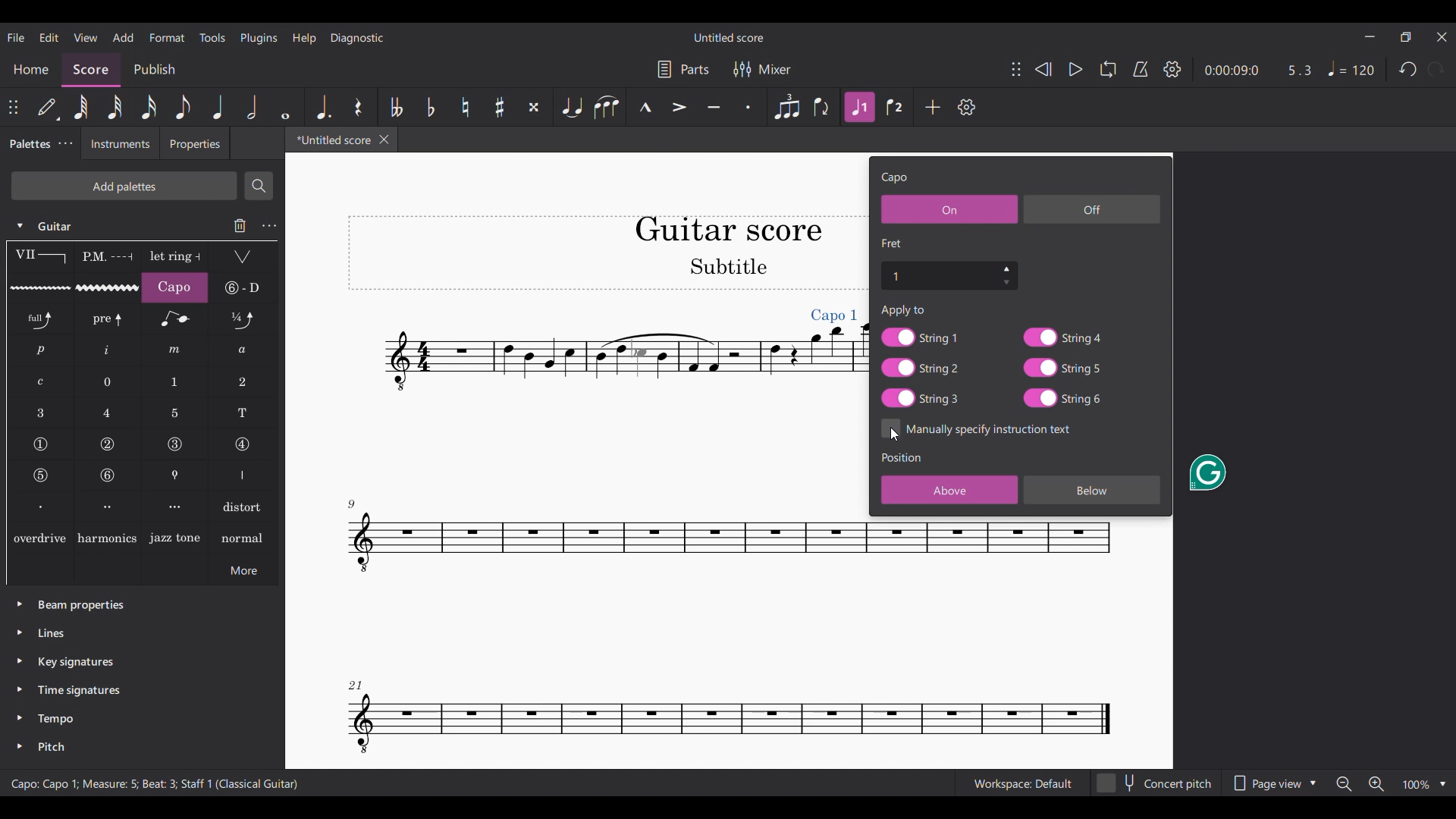 This screenshot has width=1456, height=819. I want to click on Jazz tone, so click(175, 537).